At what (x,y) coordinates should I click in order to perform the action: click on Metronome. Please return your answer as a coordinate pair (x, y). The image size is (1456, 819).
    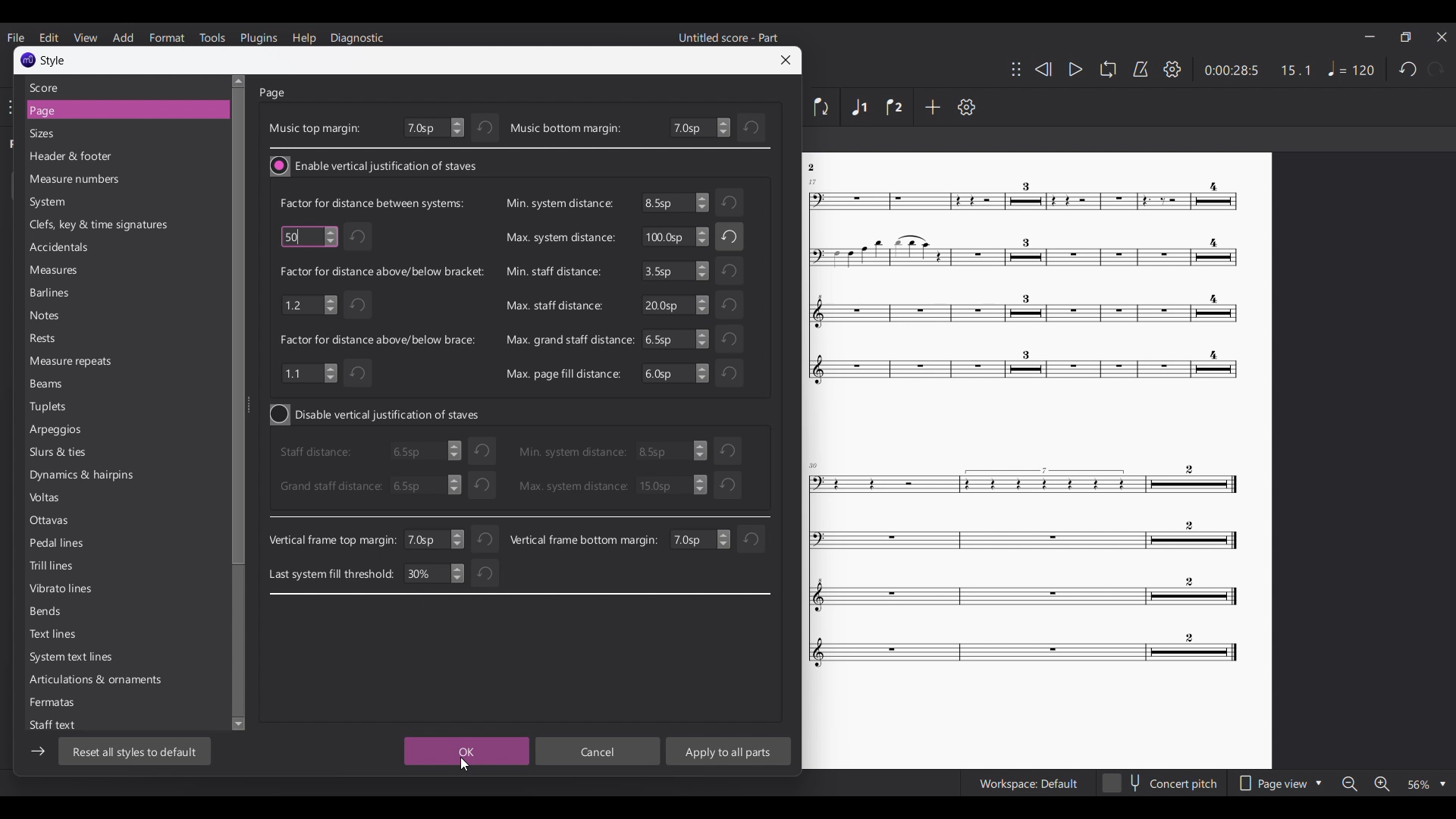
    Looking at the image, I should click on (1141, 69).